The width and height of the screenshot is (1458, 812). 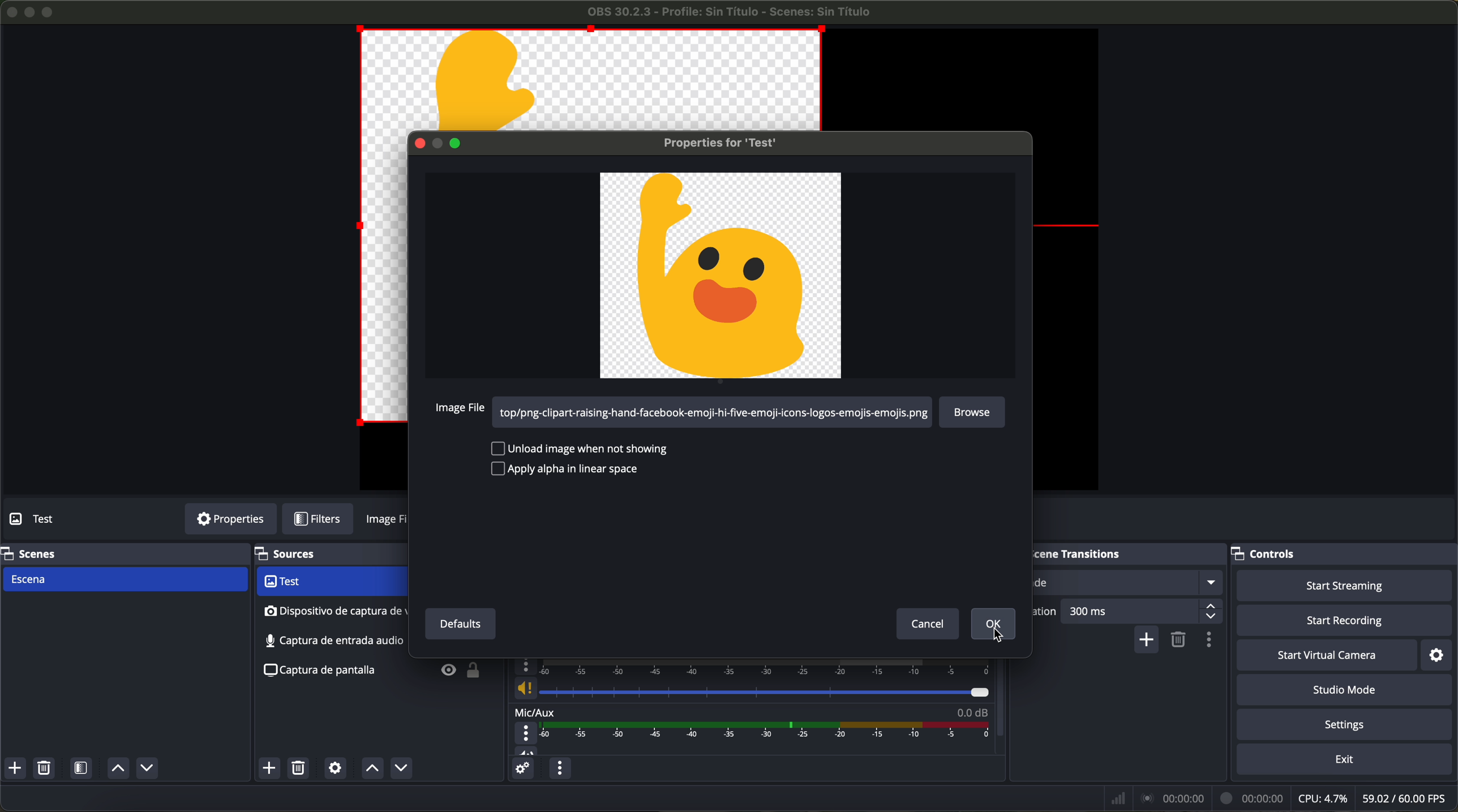 I want to click on more options, so click(x=526, y=667).